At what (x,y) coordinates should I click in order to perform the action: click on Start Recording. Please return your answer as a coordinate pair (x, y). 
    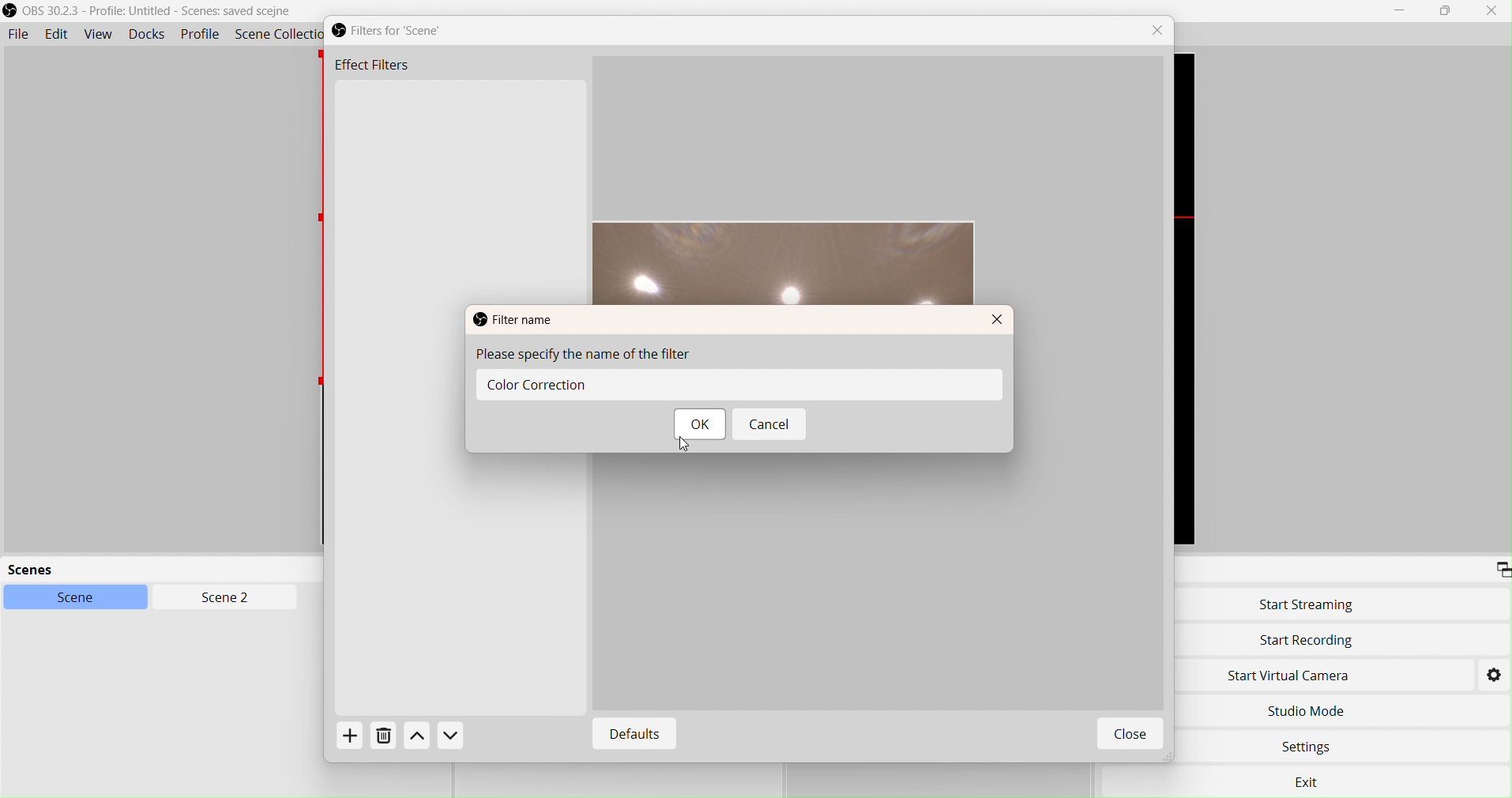
    Looking at the image, I should click on (1307, 641).